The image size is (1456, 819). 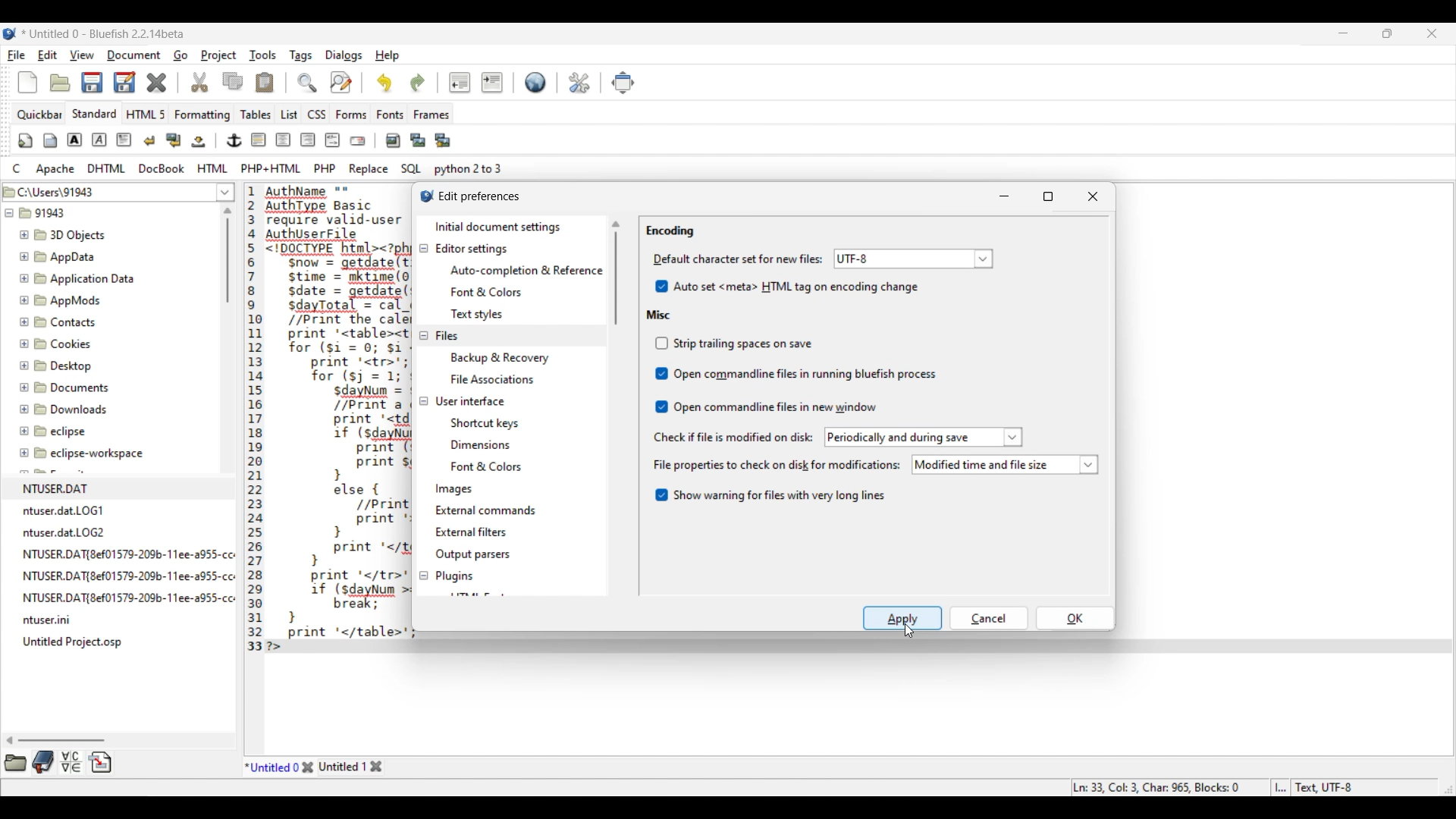 I want to click on Plugins, so click(x=455, y=574).